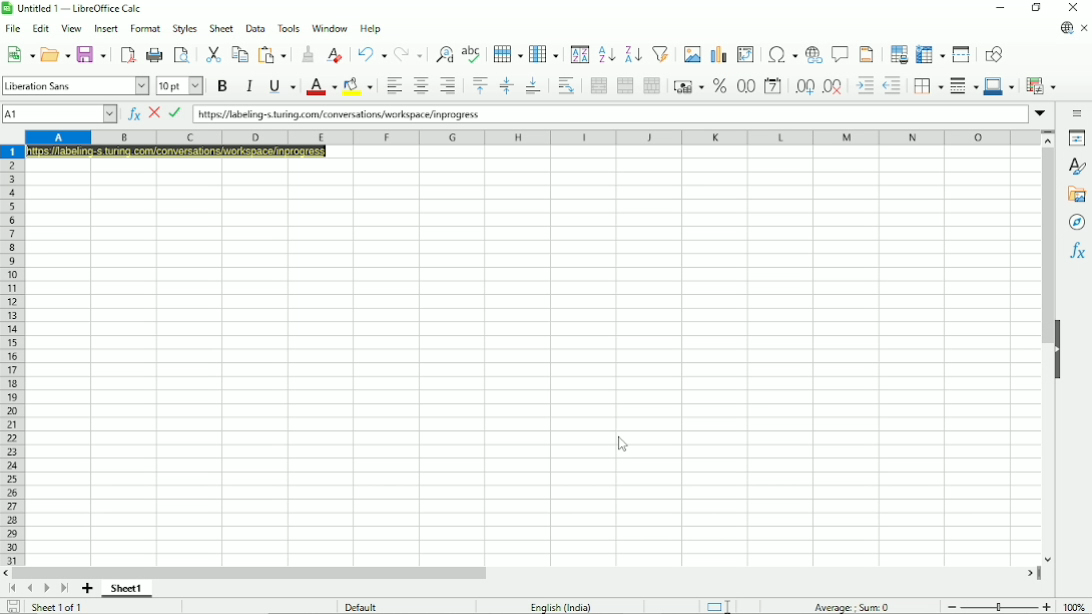 This screenshot has height=614, width=1092. What do you see at coordinates (392, 86) in the screenshot?
I see `Align left` at bounding box center [392, 86].